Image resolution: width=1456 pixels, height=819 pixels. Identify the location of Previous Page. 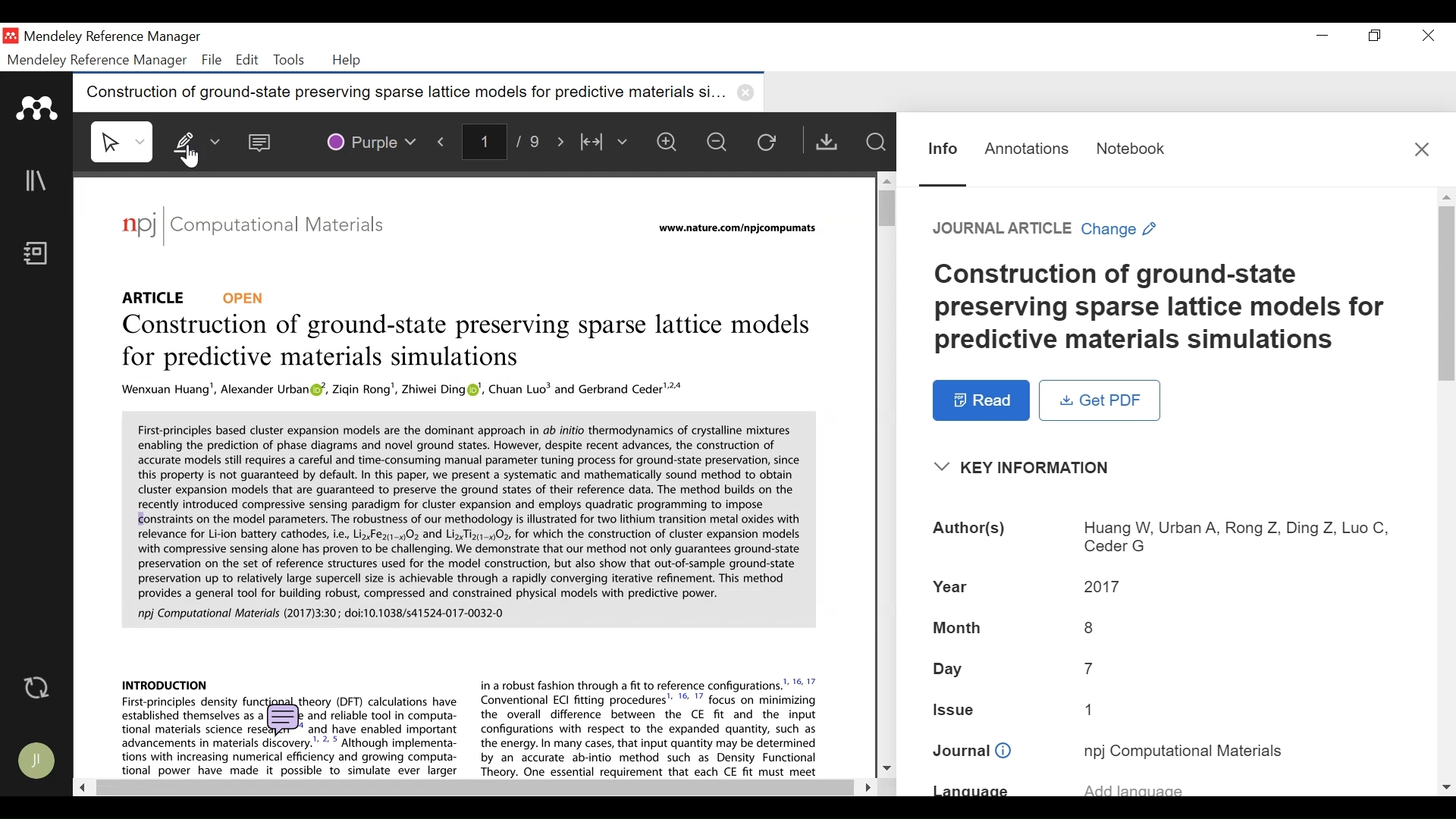
(444, 139).